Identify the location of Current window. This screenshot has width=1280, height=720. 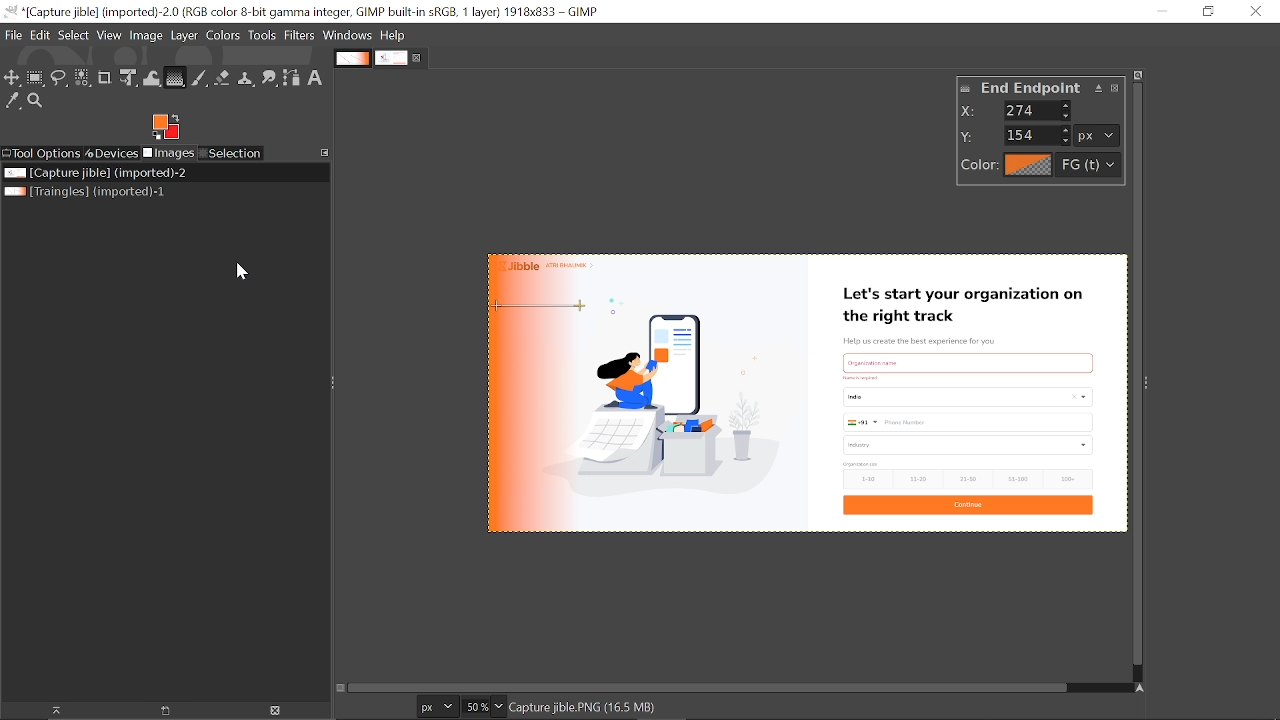
(302, 11).